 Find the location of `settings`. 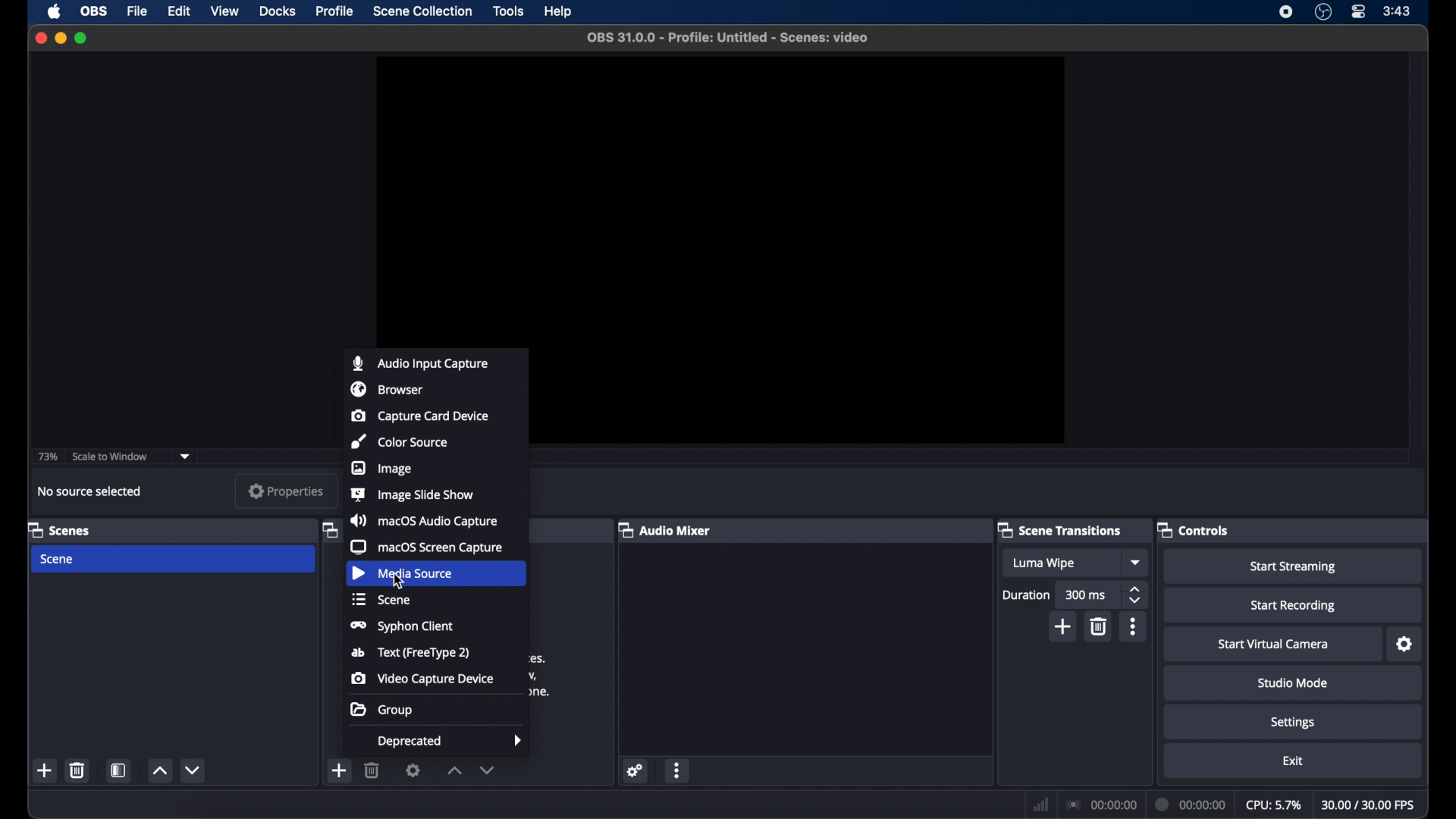

settings is located at coordinates (635, 770).